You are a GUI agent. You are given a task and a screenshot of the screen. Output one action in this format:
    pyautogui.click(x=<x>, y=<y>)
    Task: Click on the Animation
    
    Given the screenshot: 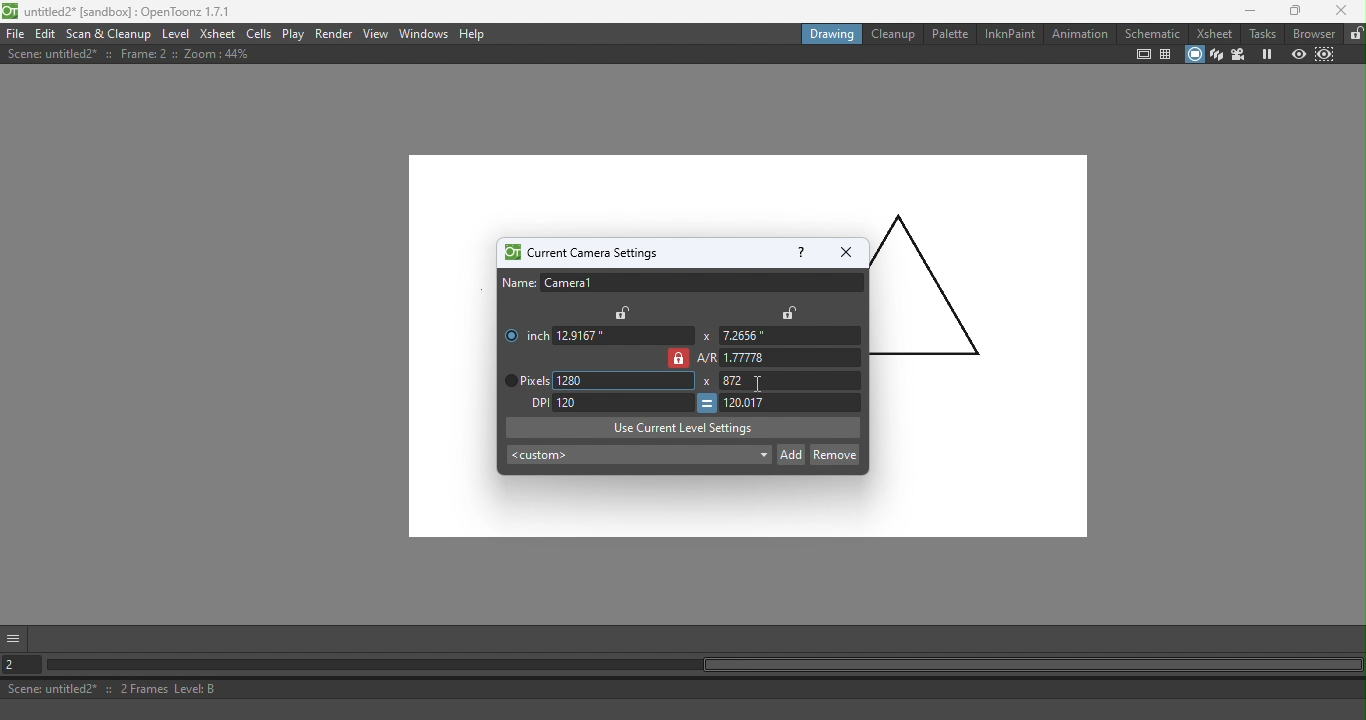 What is the action you would take?
    pyautogui.click(x=1078, y=33)
    